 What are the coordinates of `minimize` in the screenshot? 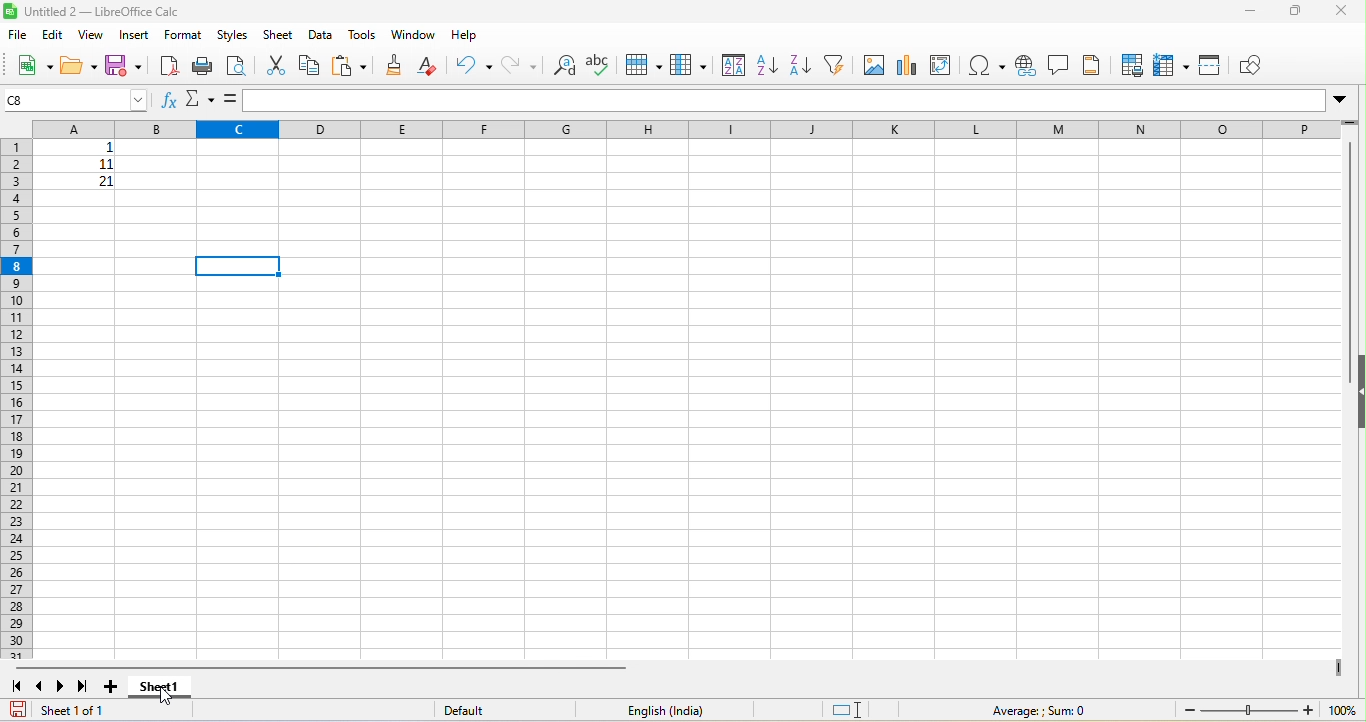 It's located at (1253, 12).